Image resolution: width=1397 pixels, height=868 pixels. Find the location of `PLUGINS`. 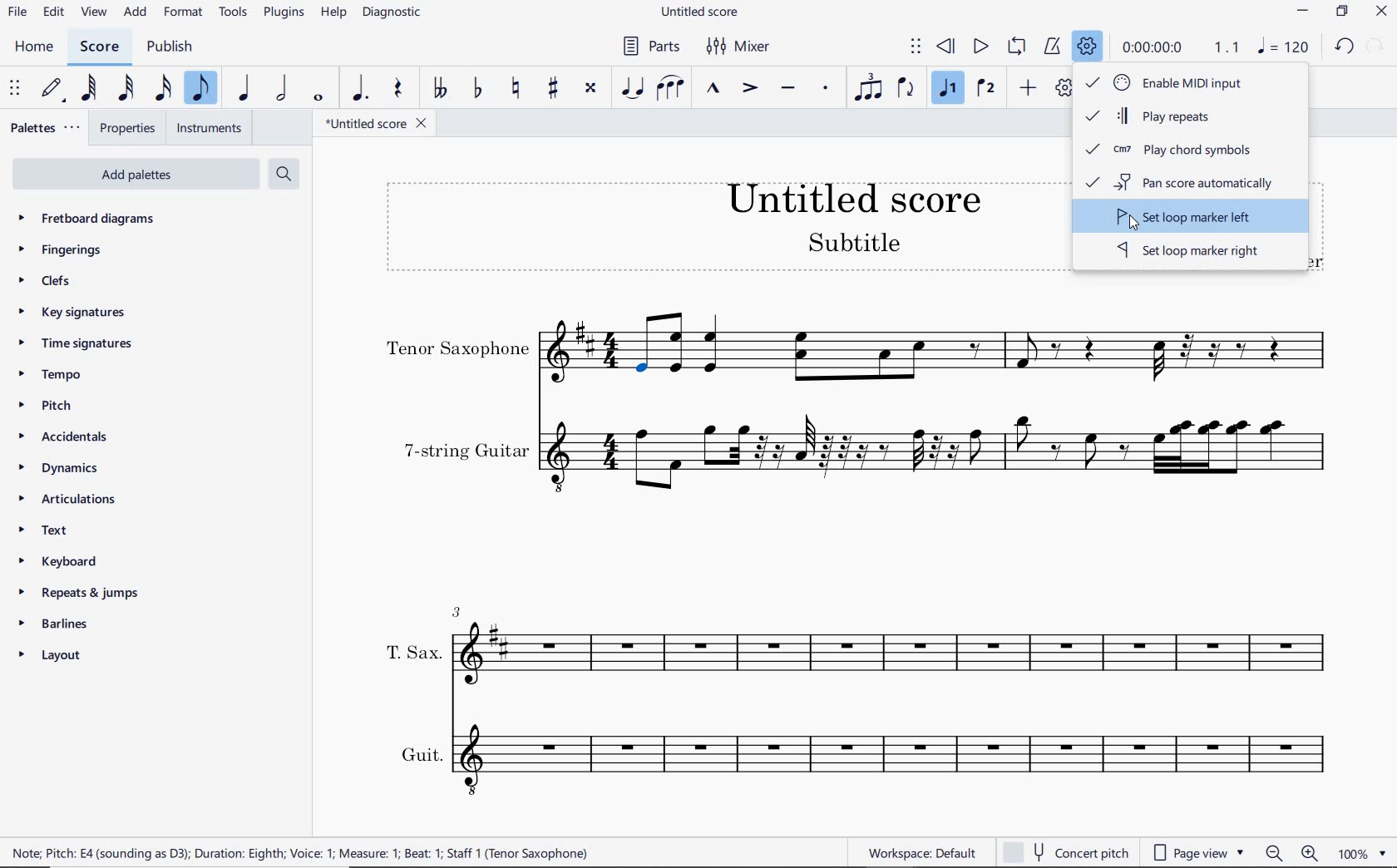

PLUGINS is located at coordinates (283, 13).